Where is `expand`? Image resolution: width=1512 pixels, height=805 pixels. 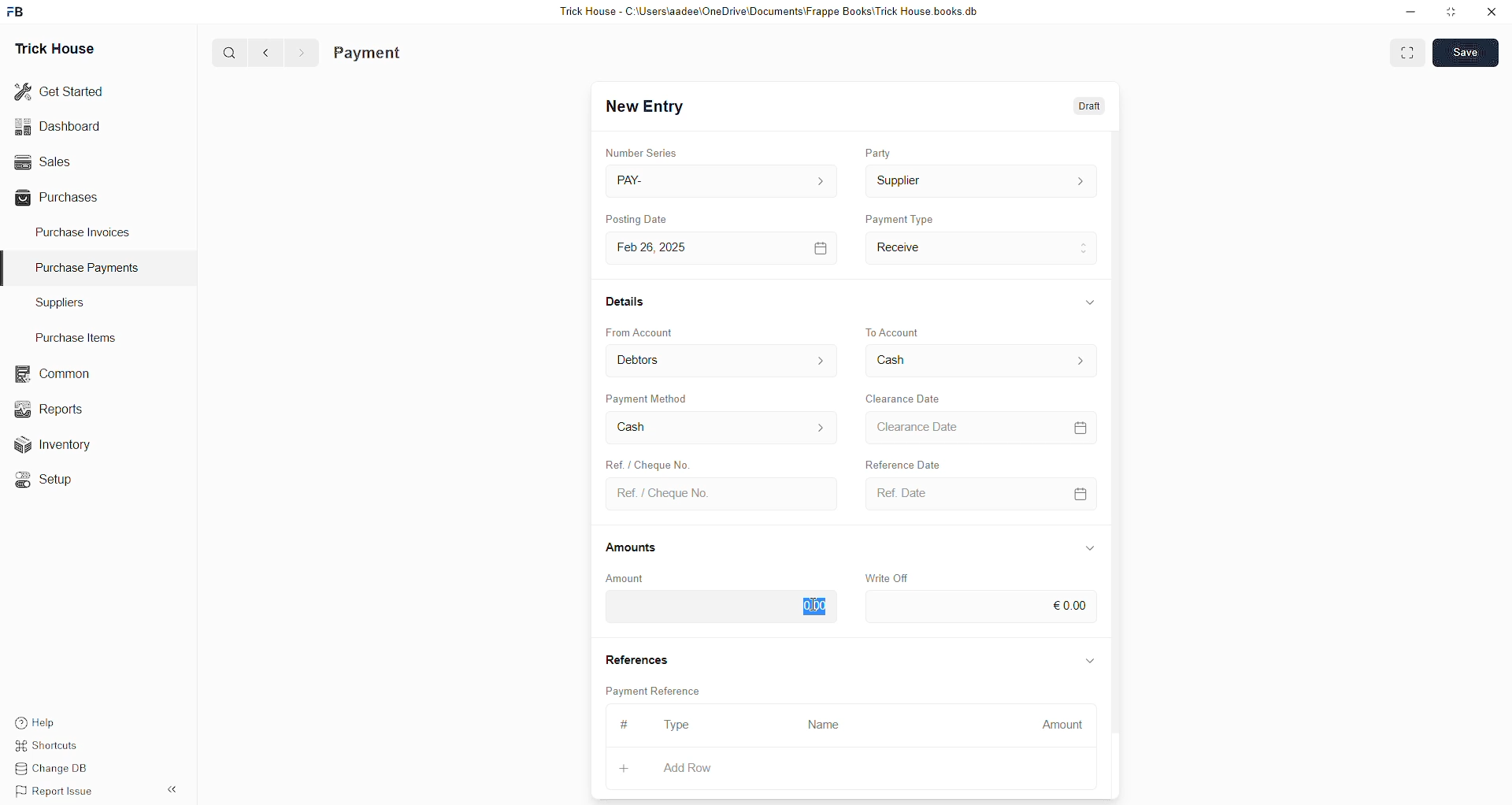 expand is located at coordinates (175, 789).